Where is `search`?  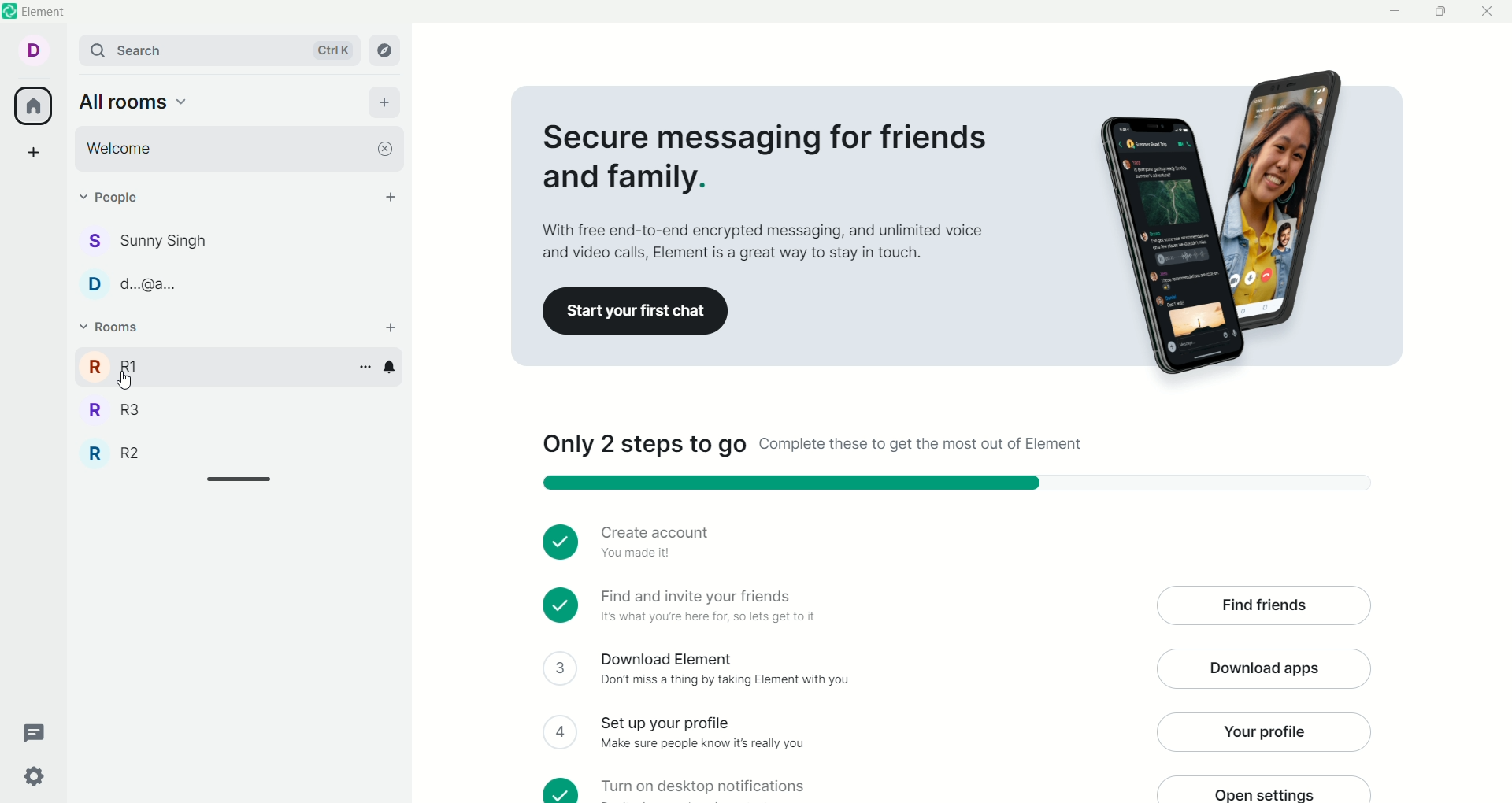
search is located at coordinates (221, 50).